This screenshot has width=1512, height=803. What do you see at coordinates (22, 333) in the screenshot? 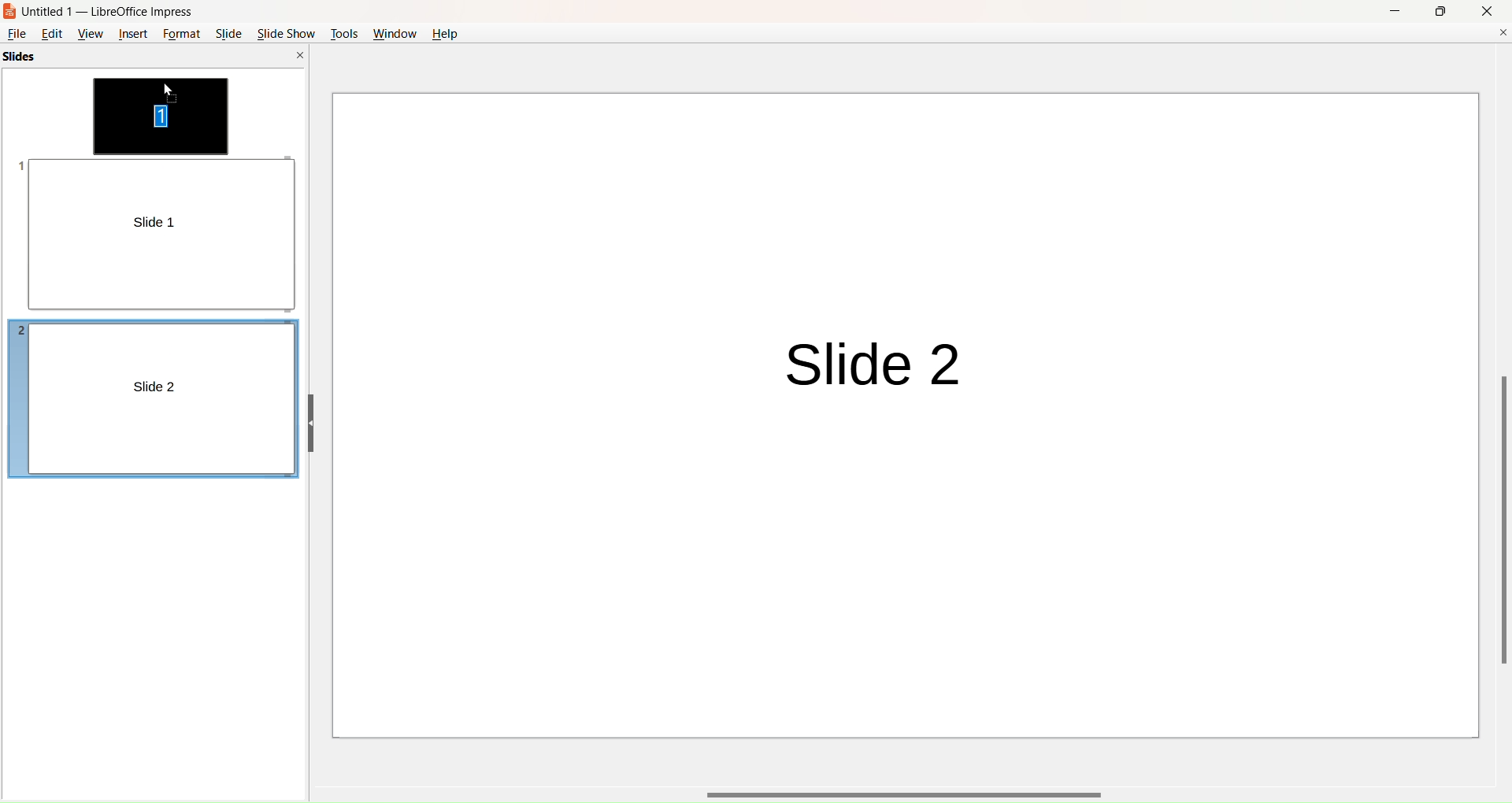
I see `slide number` at bounding box center [22, 333].